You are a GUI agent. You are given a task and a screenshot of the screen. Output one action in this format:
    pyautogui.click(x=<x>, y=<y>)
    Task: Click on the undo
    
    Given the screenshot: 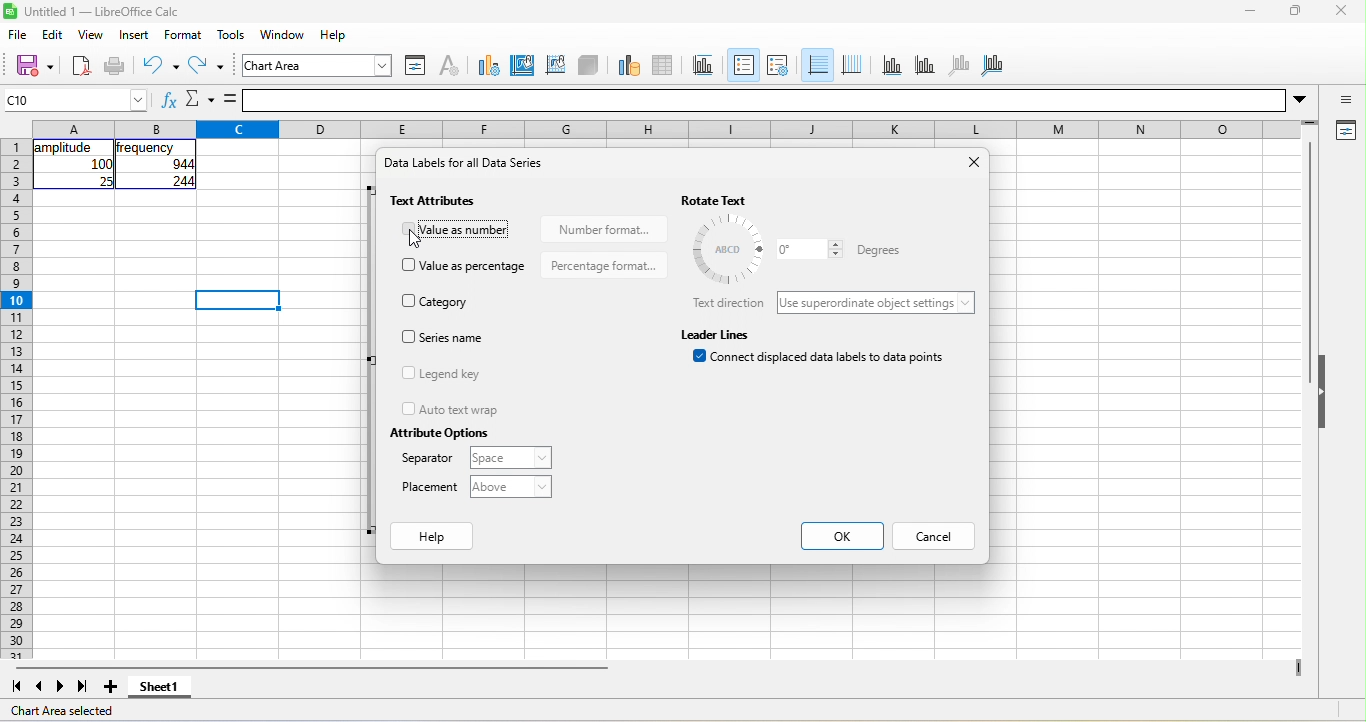 What is the action you would take?
    pyautogui.click(x=160, y=65)
    